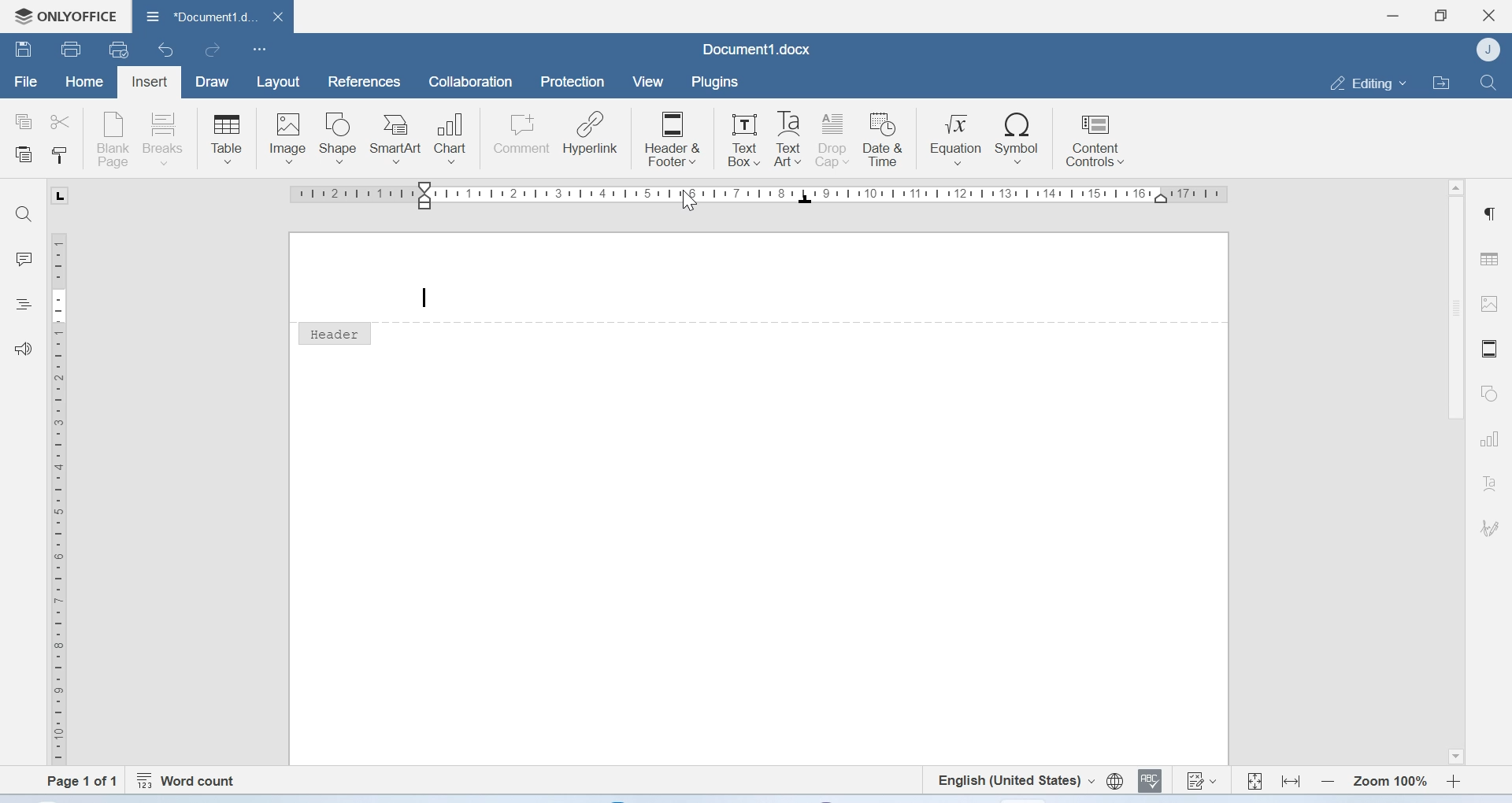  Describe the element at coordinates (1455, 187) in the screenshot. I see `Scroll up` at that location.